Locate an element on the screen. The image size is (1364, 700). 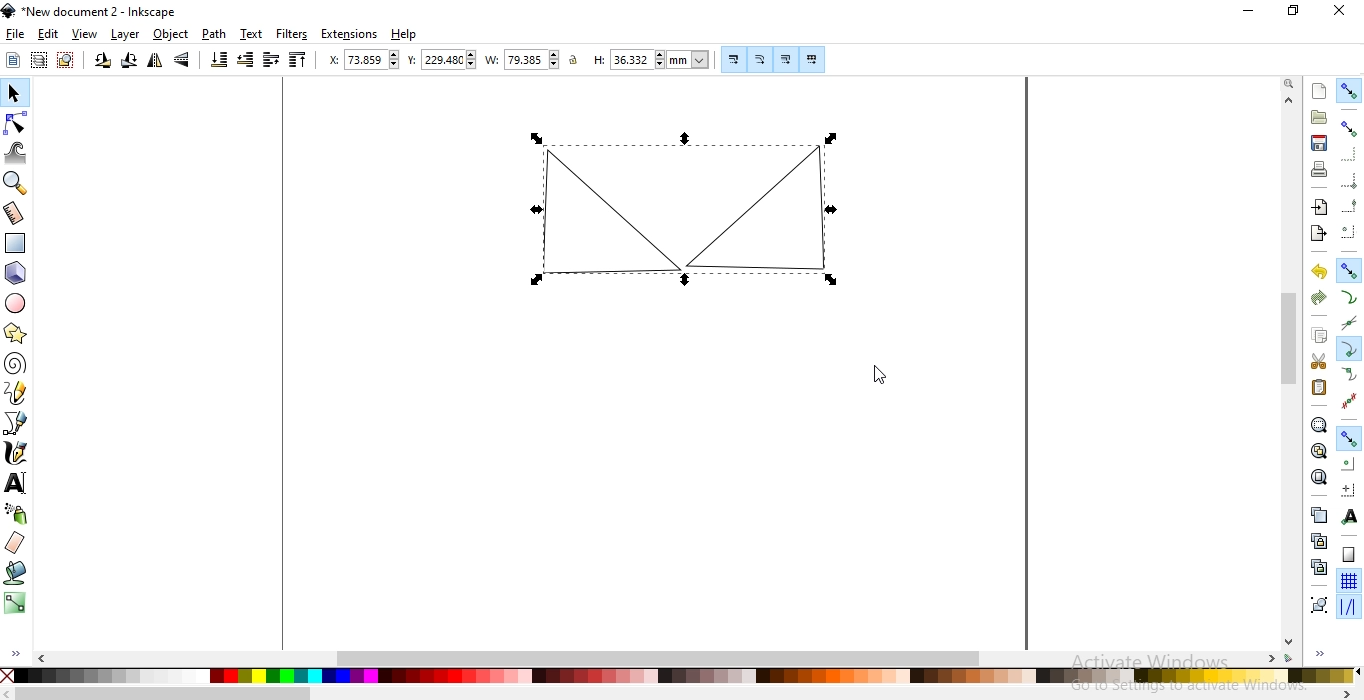
new document 2 - inkscape is located at coordinates (96, 14).